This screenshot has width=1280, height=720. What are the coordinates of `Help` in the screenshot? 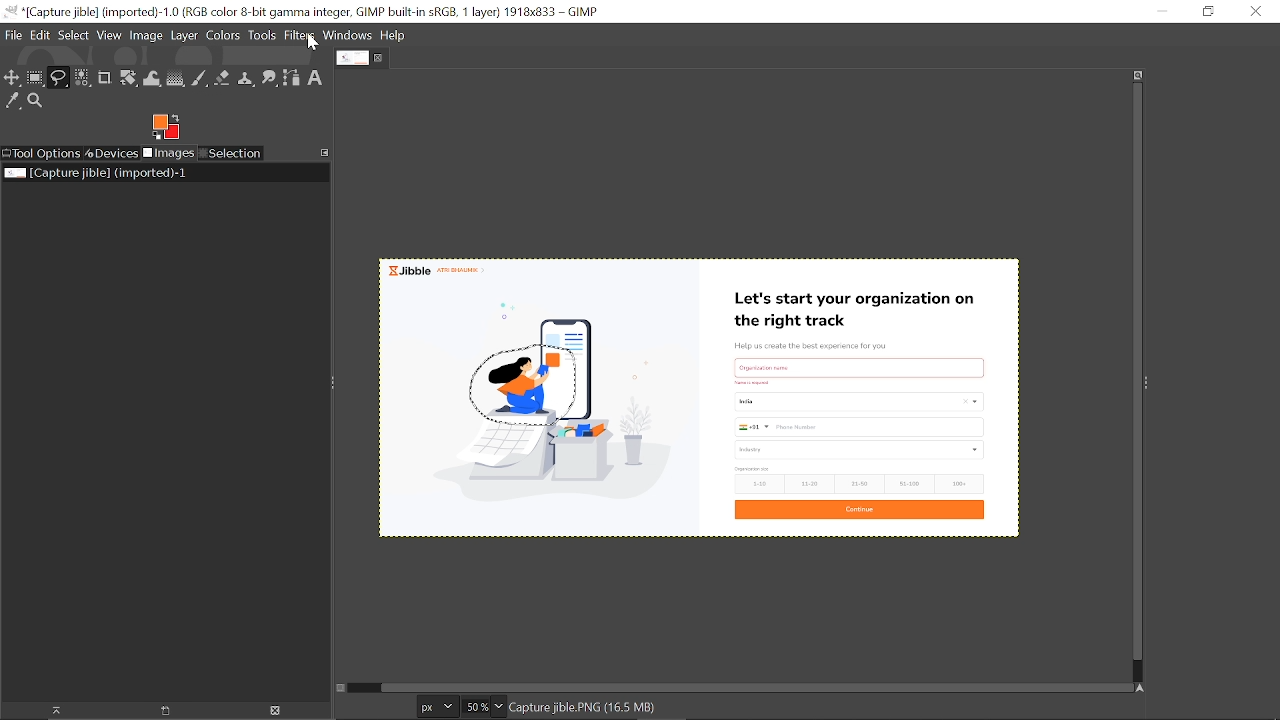 It's located at (394, 36).